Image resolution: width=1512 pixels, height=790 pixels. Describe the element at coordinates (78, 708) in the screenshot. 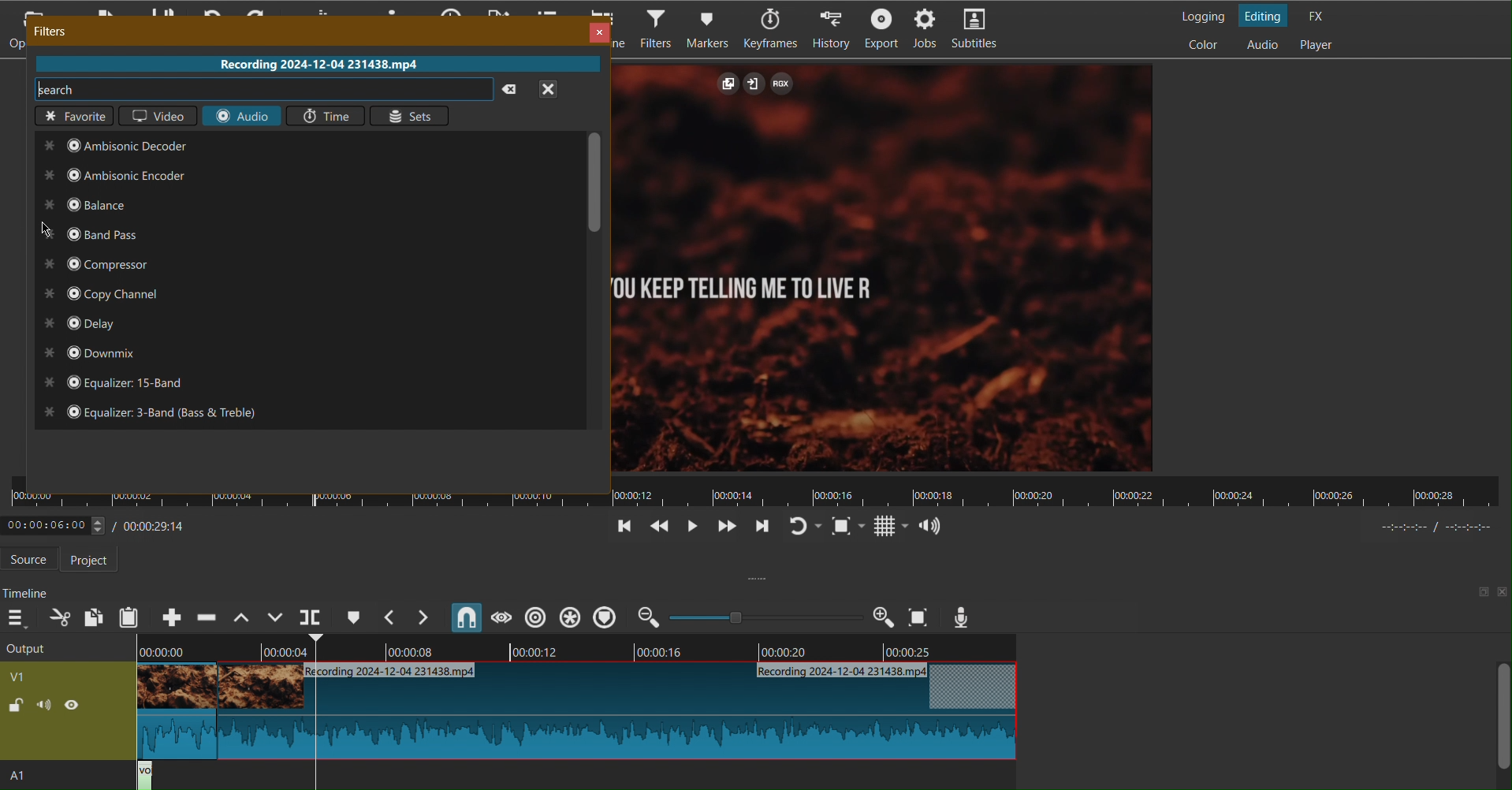

I see `view` at that location.